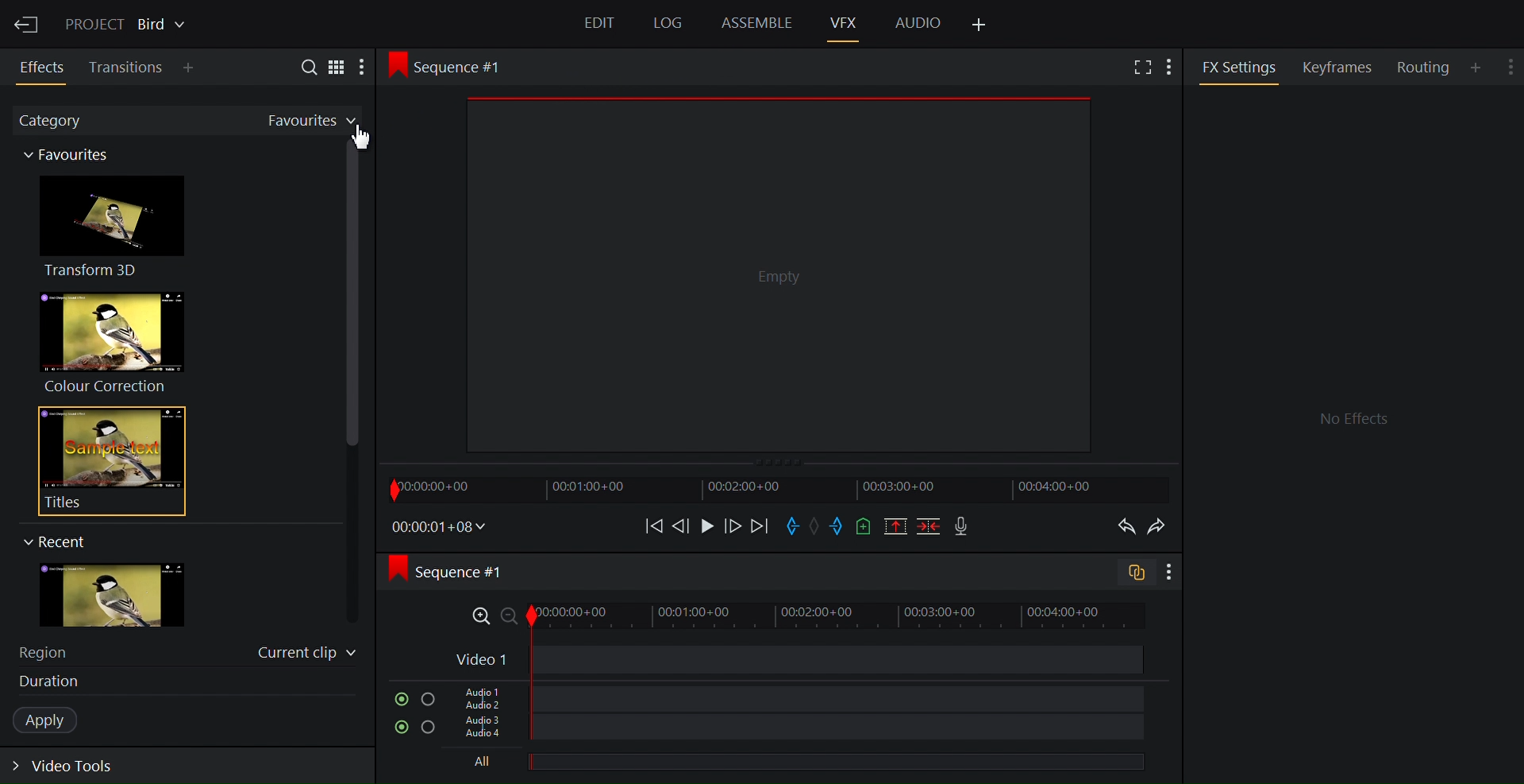 The image size is (1524, 784). Describe the element at coordinates (777, 489) in the screenshot. I see `Timeline` at that location.